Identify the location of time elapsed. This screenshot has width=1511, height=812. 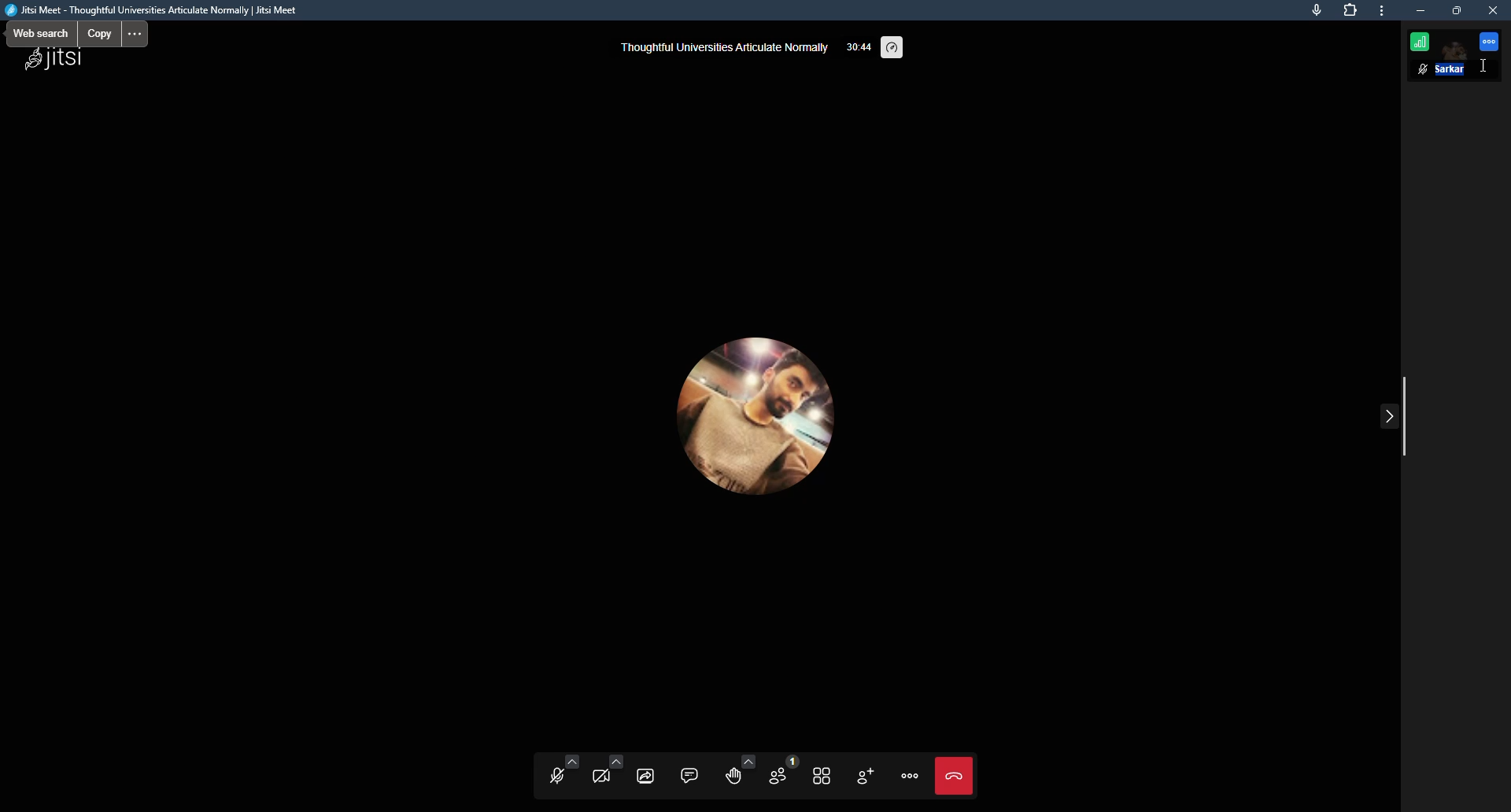
(857, 45).